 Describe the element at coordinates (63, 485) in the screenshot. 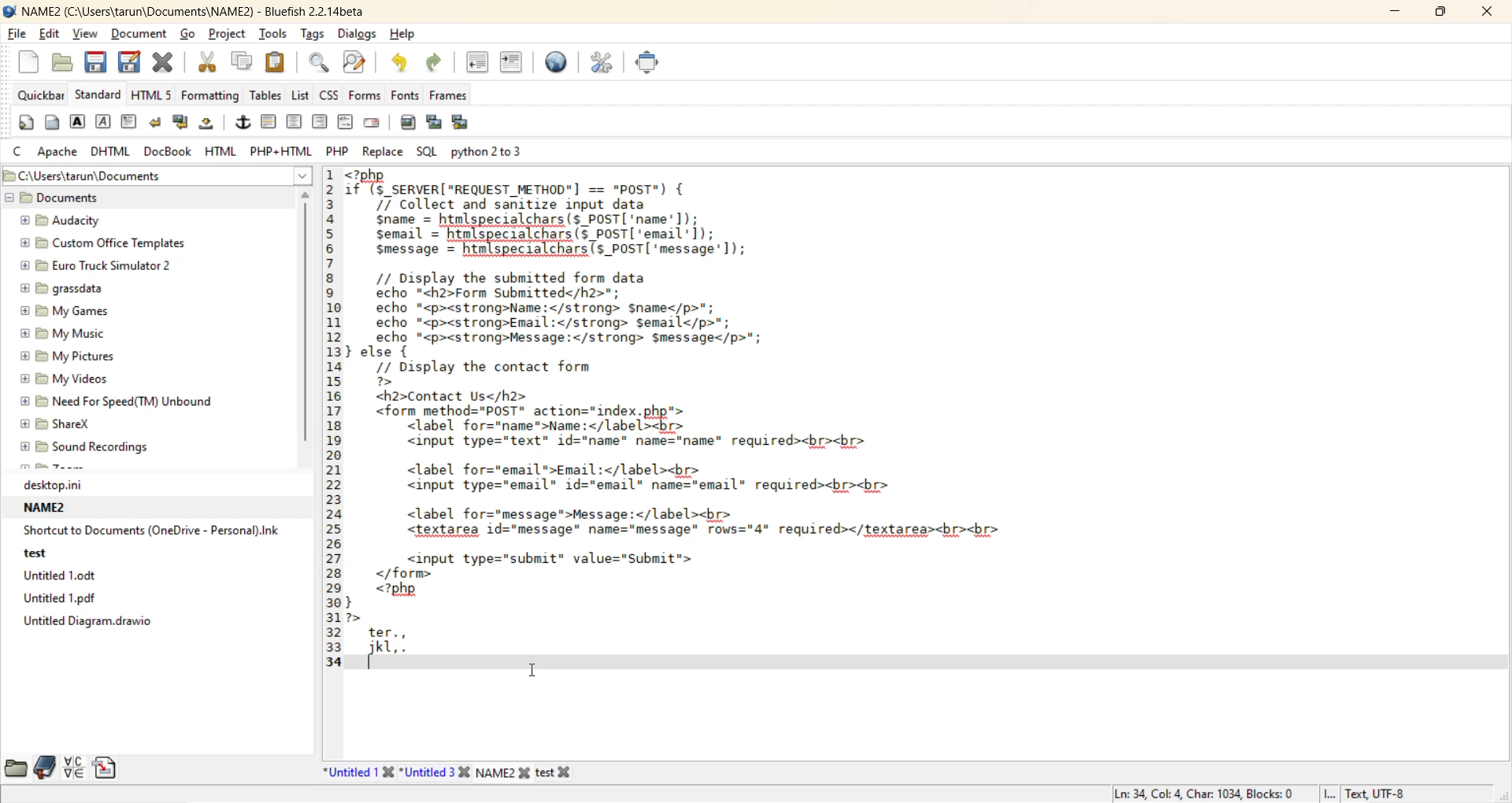

I see `desktop.ini` at that location.